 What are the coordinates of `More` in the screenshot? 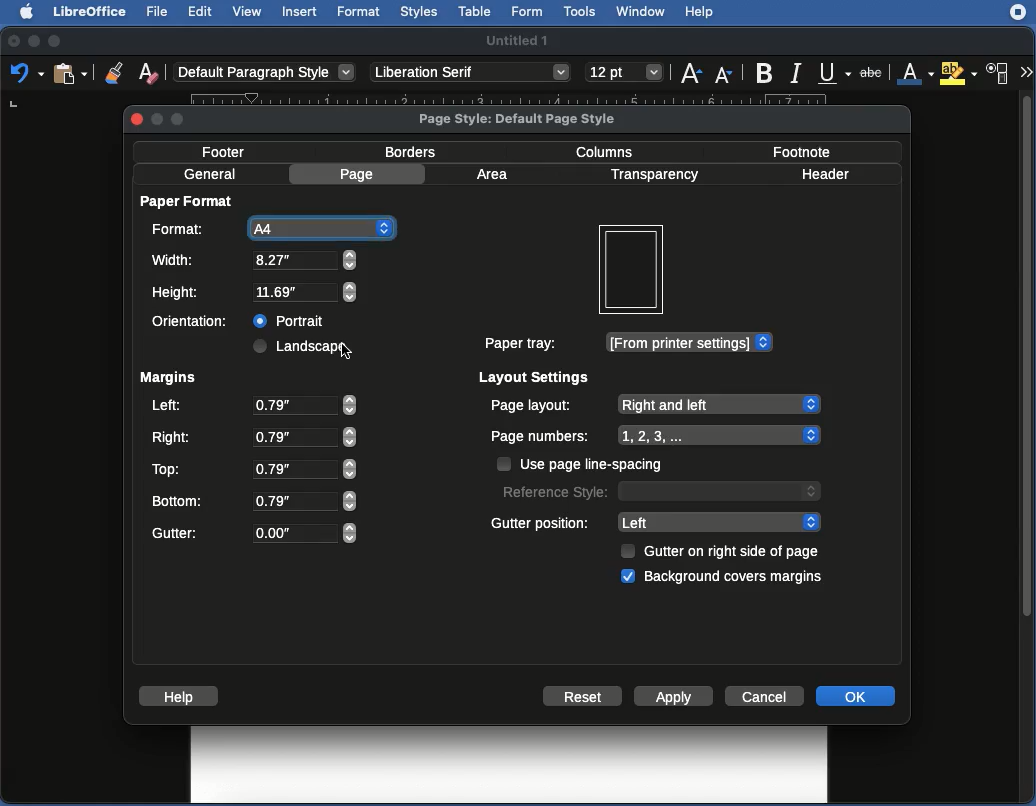 It's located at (1026, 70).